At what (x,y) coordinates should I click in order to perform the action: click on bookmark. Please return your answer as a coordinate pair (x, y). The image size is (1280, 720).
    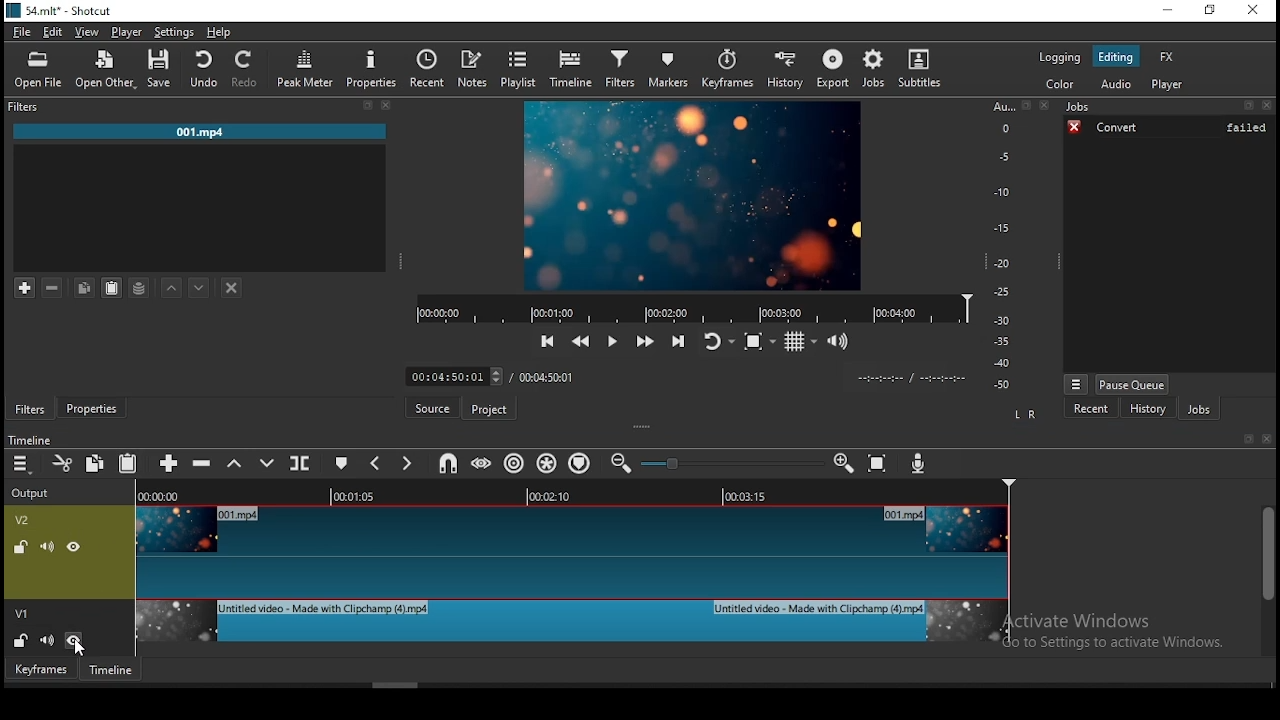
    Looking at the image, I should click on (1250, 439).